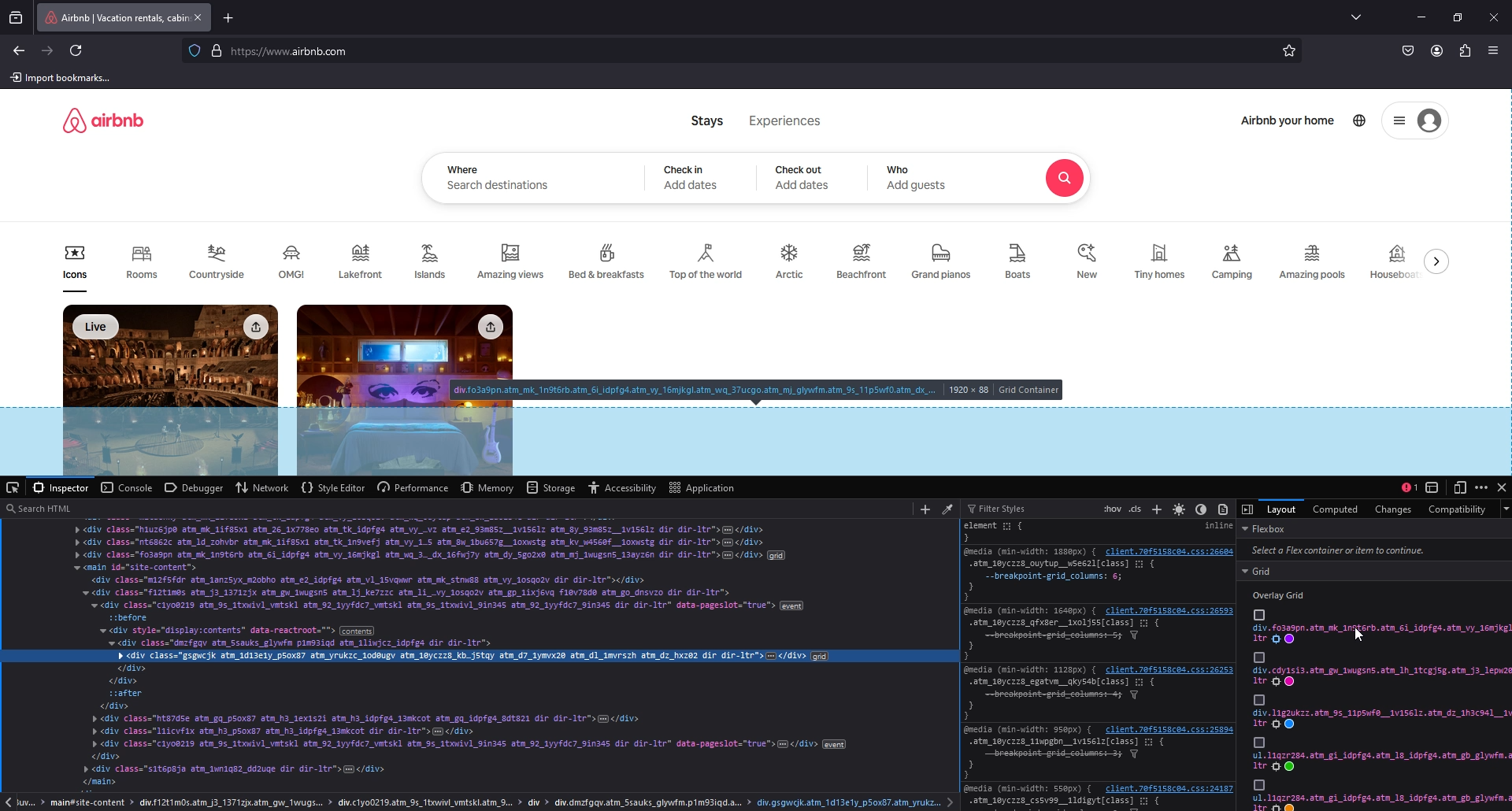 This screenshot has height=811, width=1512. I want to click on toggle print media simulation, so click(1225, 507).